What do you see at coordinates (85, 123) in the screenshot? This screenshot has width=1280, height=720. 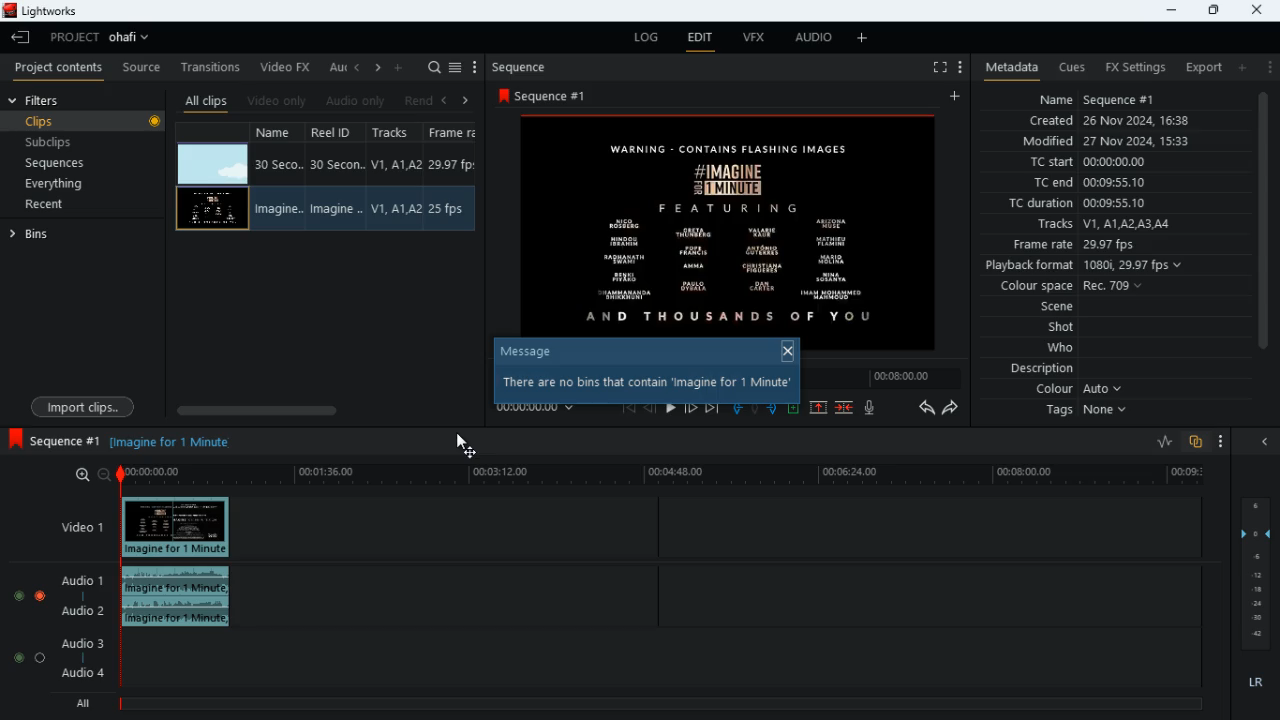 I see `clips` at bounding box center [85, 123].